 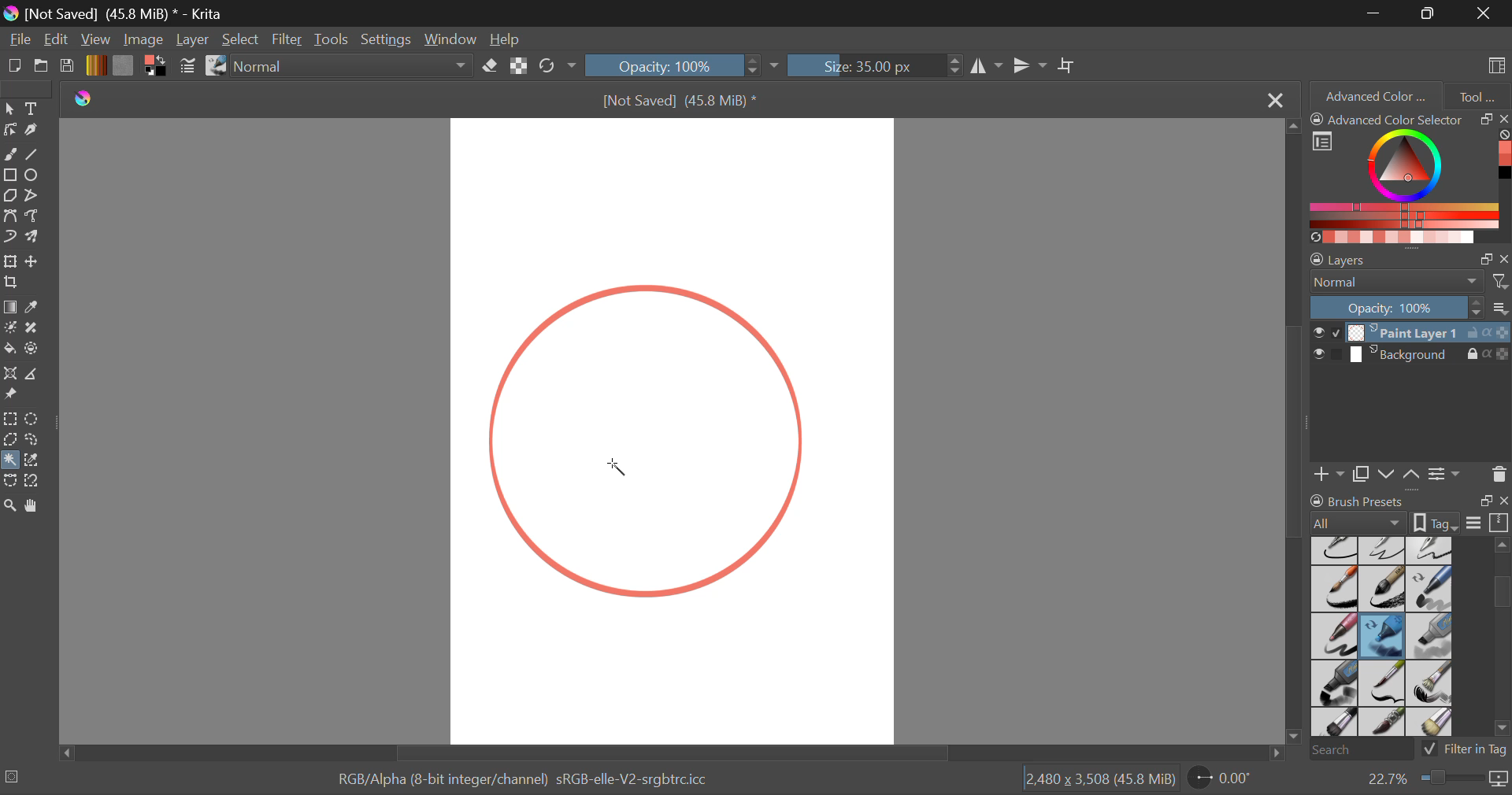 I want to click on Filter in Tag, so click(x=1466, y=748).